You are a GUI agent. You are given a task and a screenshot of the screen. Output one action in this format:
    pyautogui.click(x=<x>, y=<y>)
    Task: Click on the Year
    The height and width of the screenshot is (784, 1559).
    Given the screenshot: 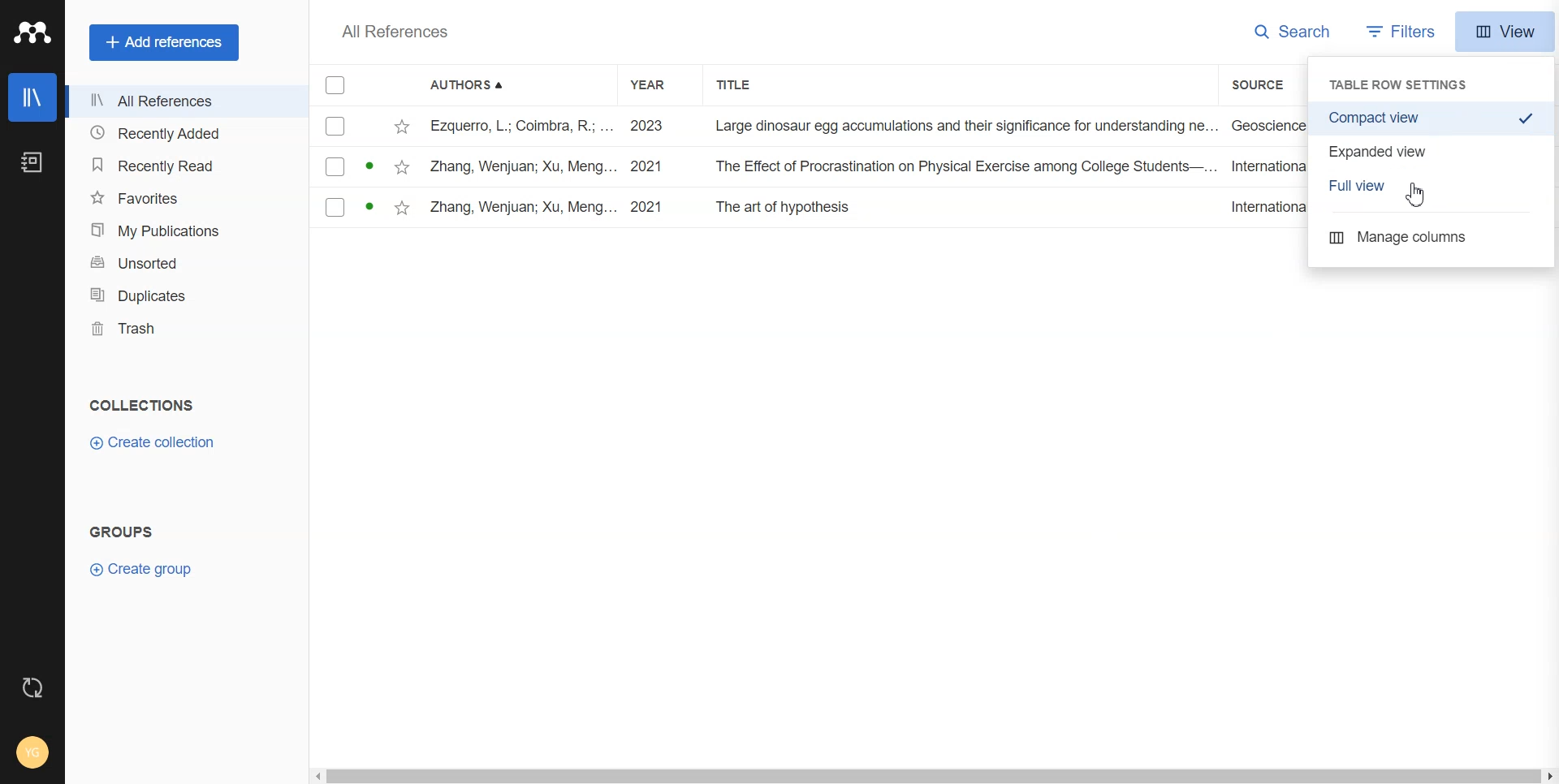 What is the action you would take?
    pyautogui.click(x=659, y=85)
    